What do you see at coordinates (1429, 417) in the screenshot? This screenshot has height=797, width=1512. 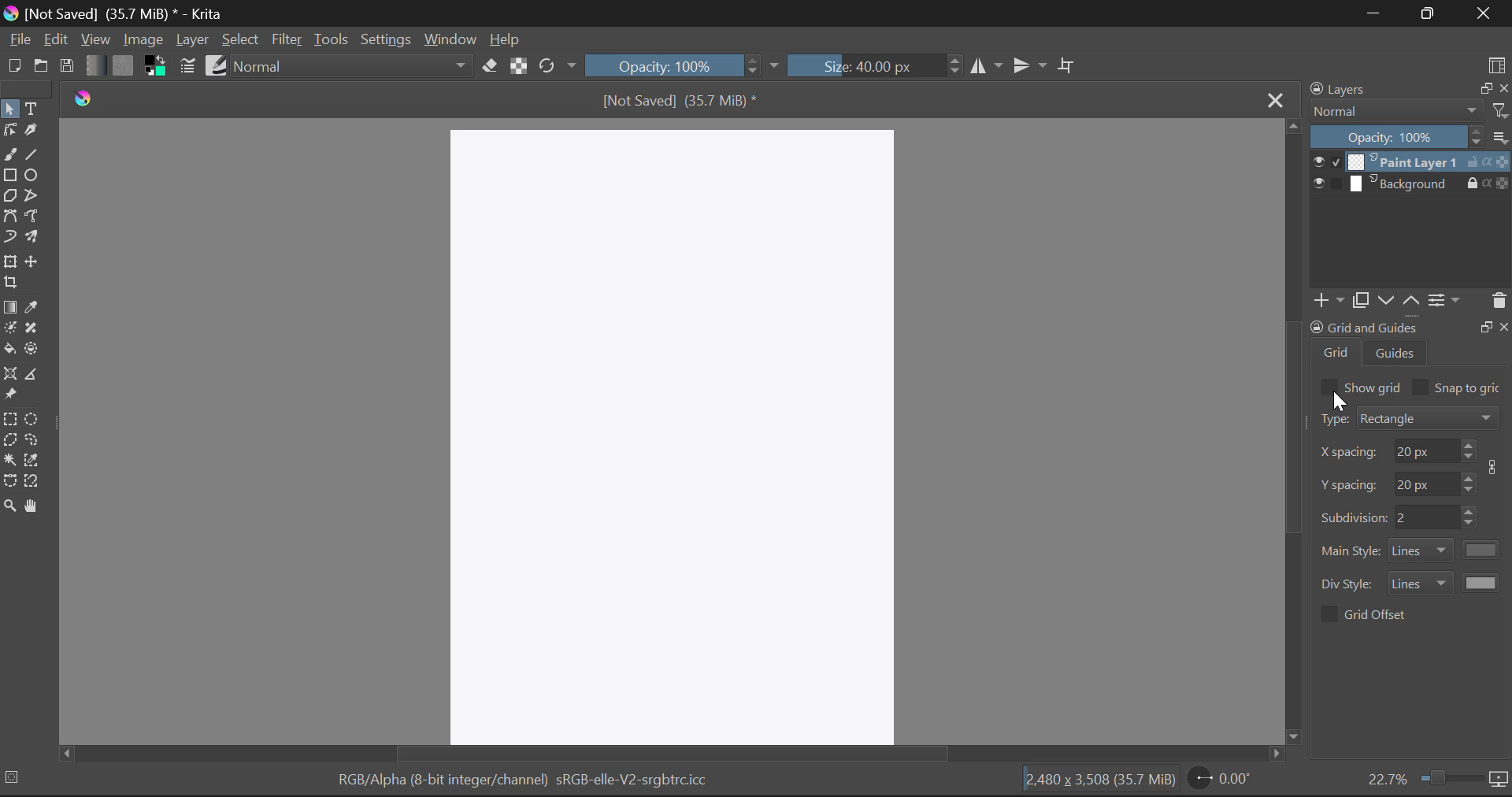 I see `rectangle` at bounding box center [1429, 417].